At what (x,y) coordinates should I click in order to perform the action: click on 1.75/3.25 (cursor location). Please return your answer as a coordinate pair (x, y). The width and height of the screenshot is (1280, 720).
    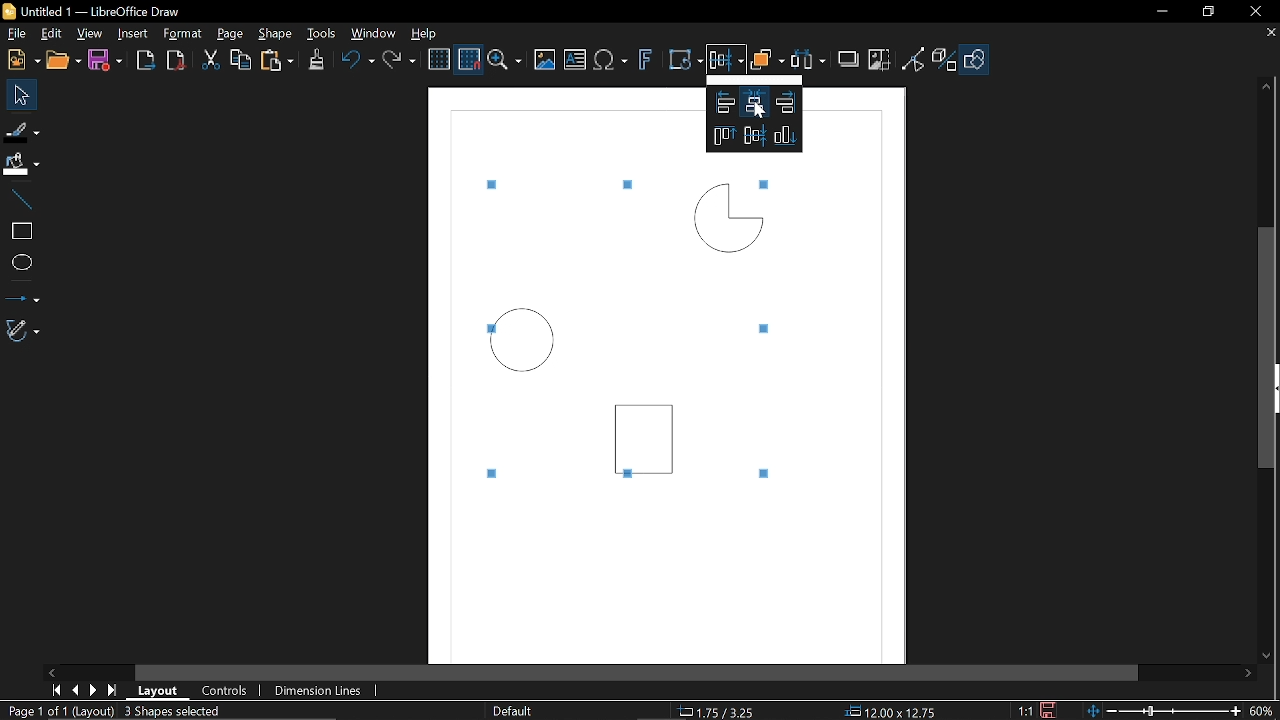
    Looking at the image, I should click on (721, 709).